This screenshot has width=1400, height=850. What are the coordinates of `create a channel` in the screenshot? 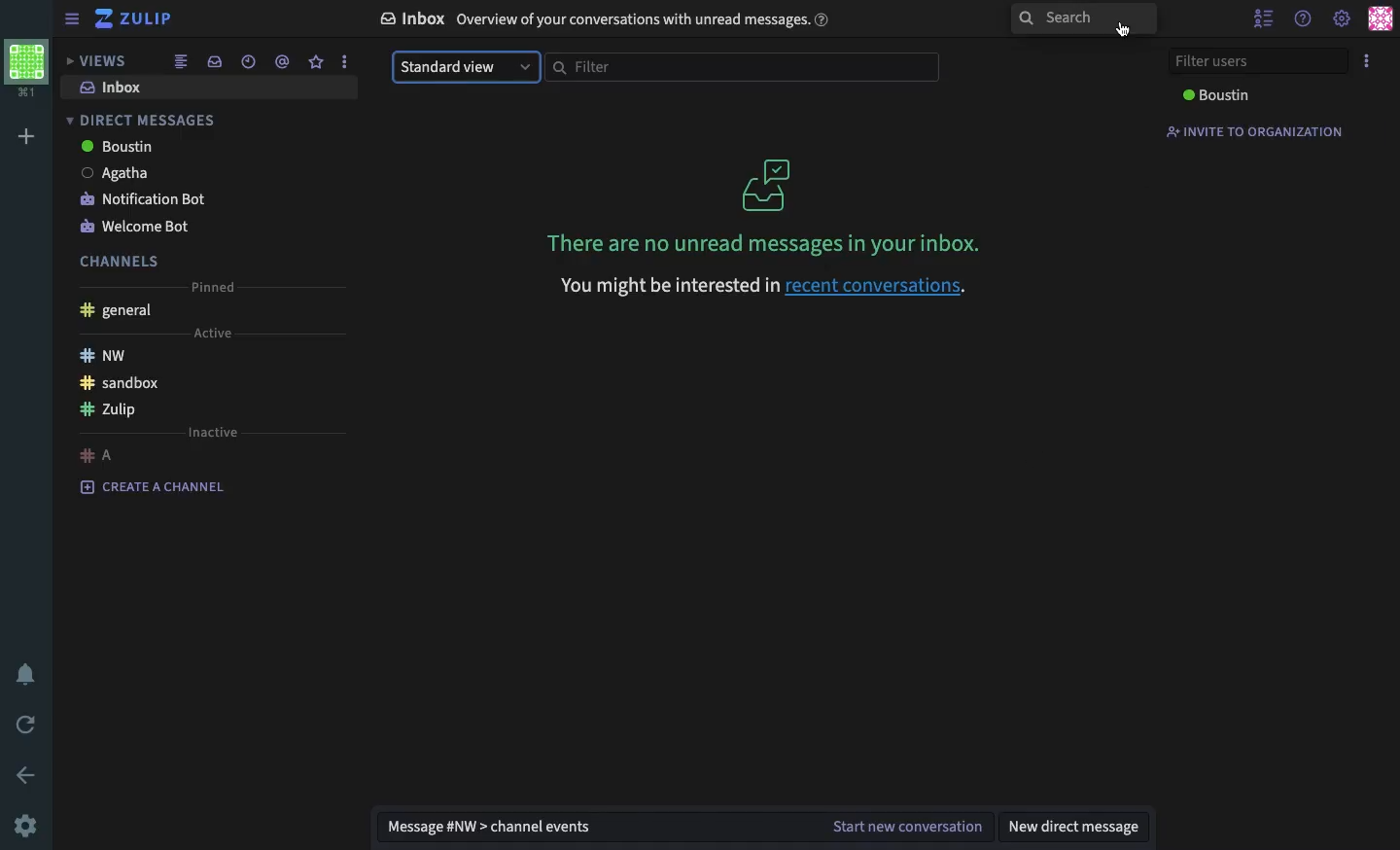 It's located at (153, 490).